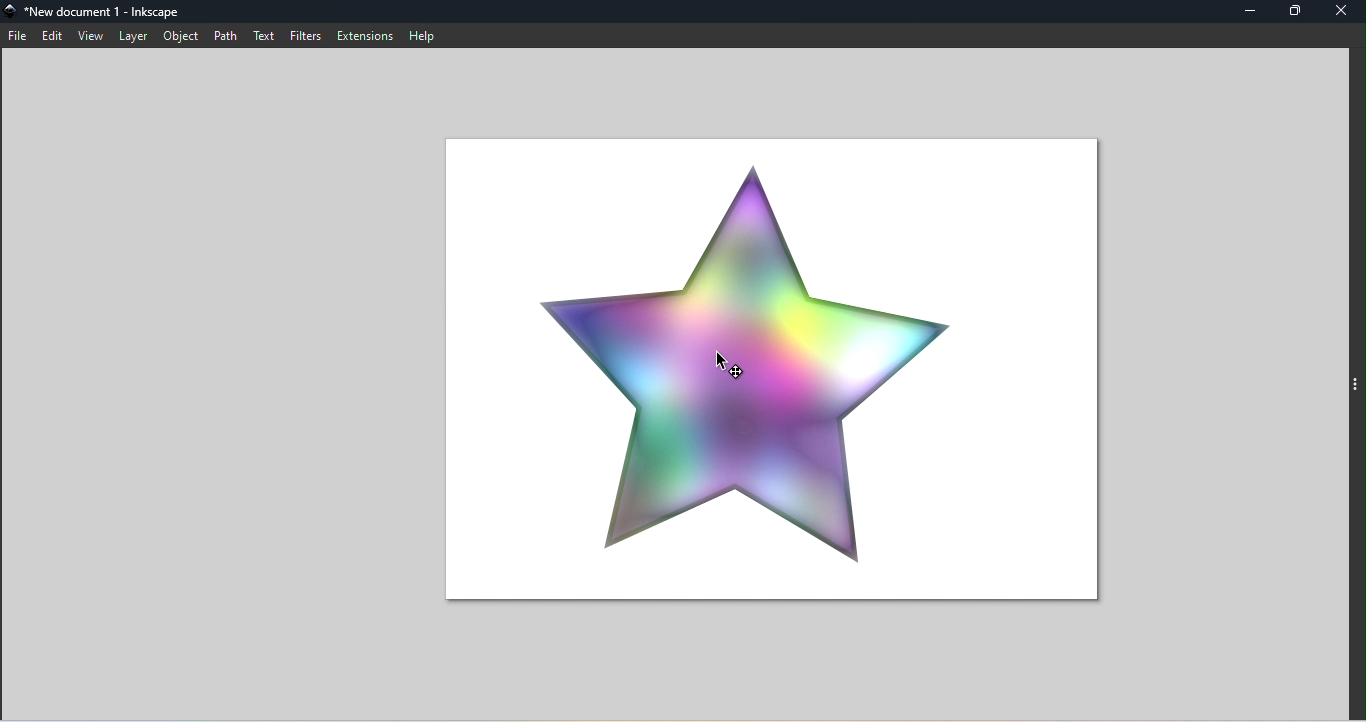 This screenshot has width=1366, height=722. Describe the element at coordinates (226, 37) in the screenshot. I see `Path` at that location.